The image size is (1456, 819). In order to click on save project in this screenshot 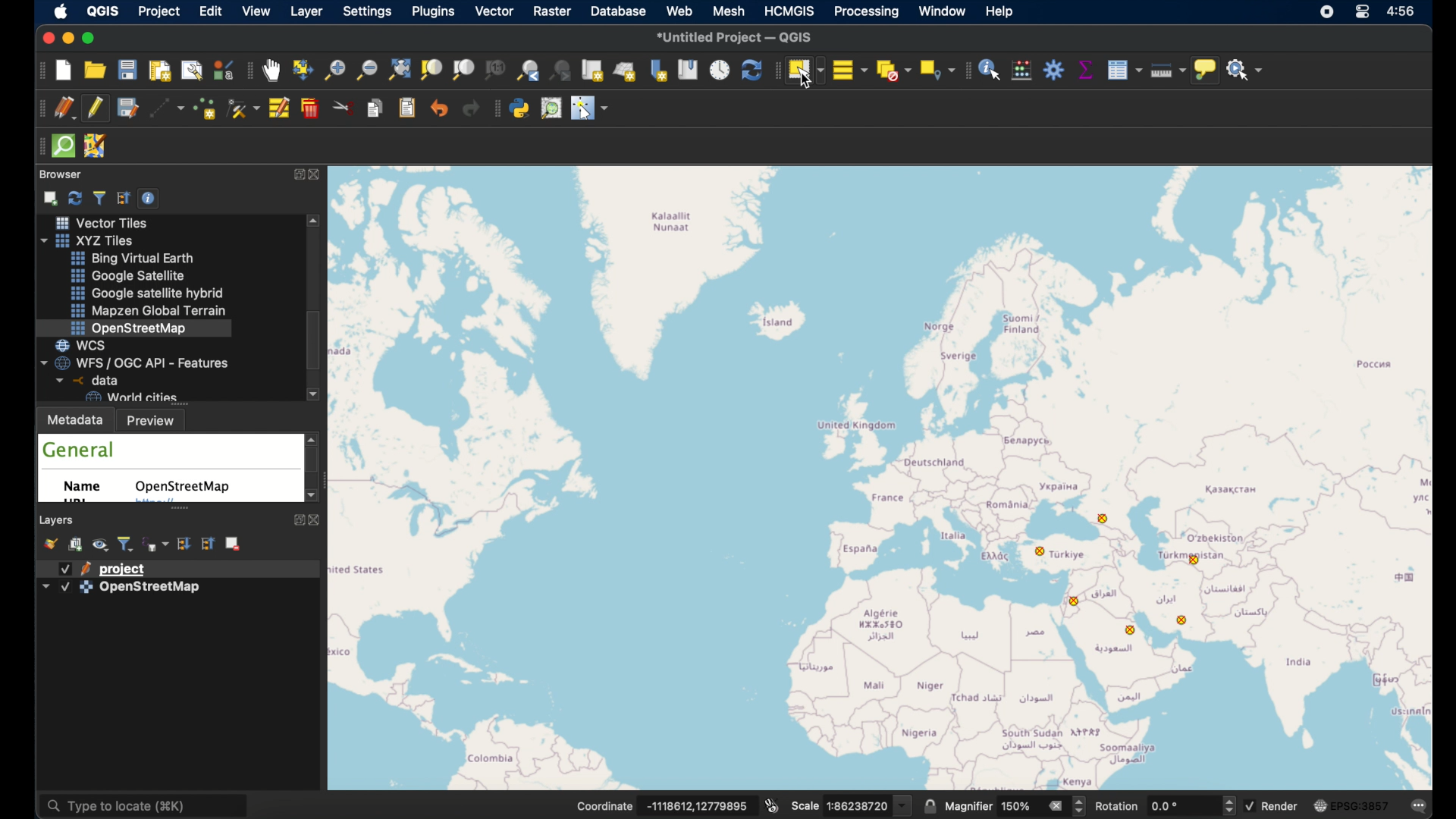, I will do `click(127, 108)`.